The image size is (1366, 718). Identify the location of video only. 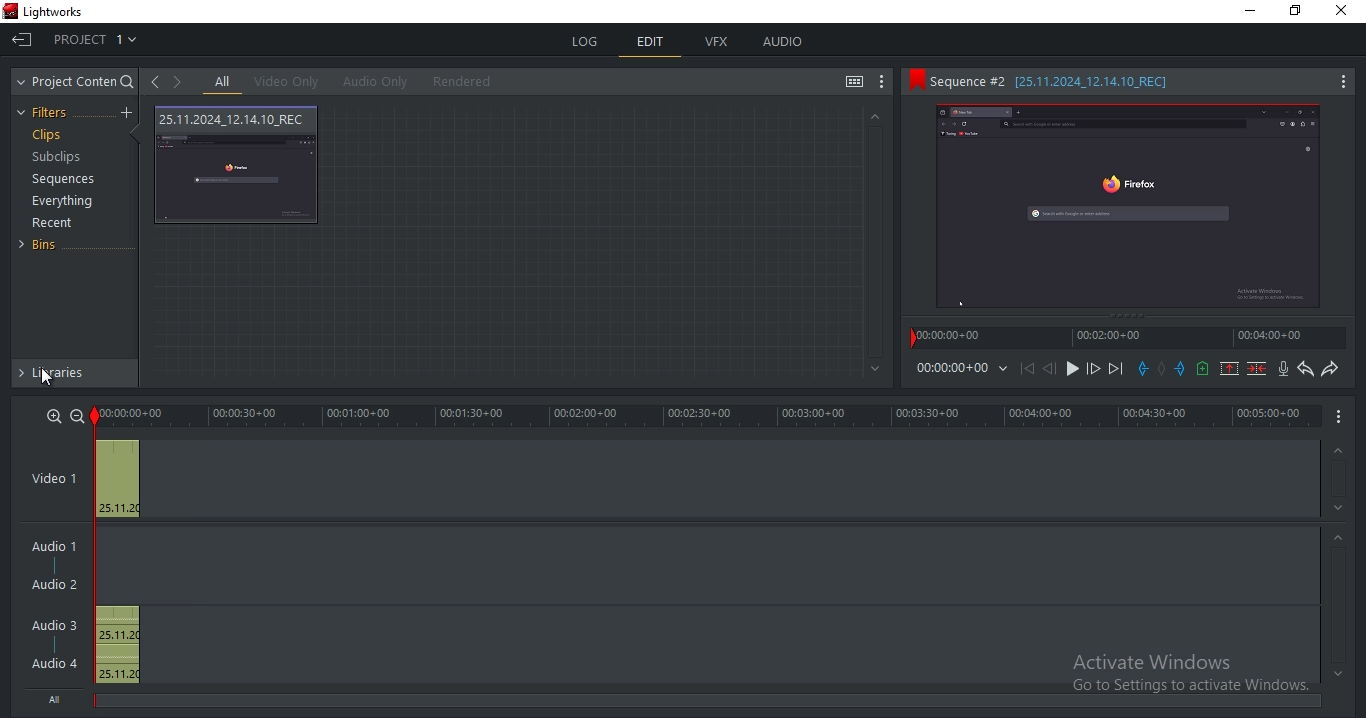
(292, 82).